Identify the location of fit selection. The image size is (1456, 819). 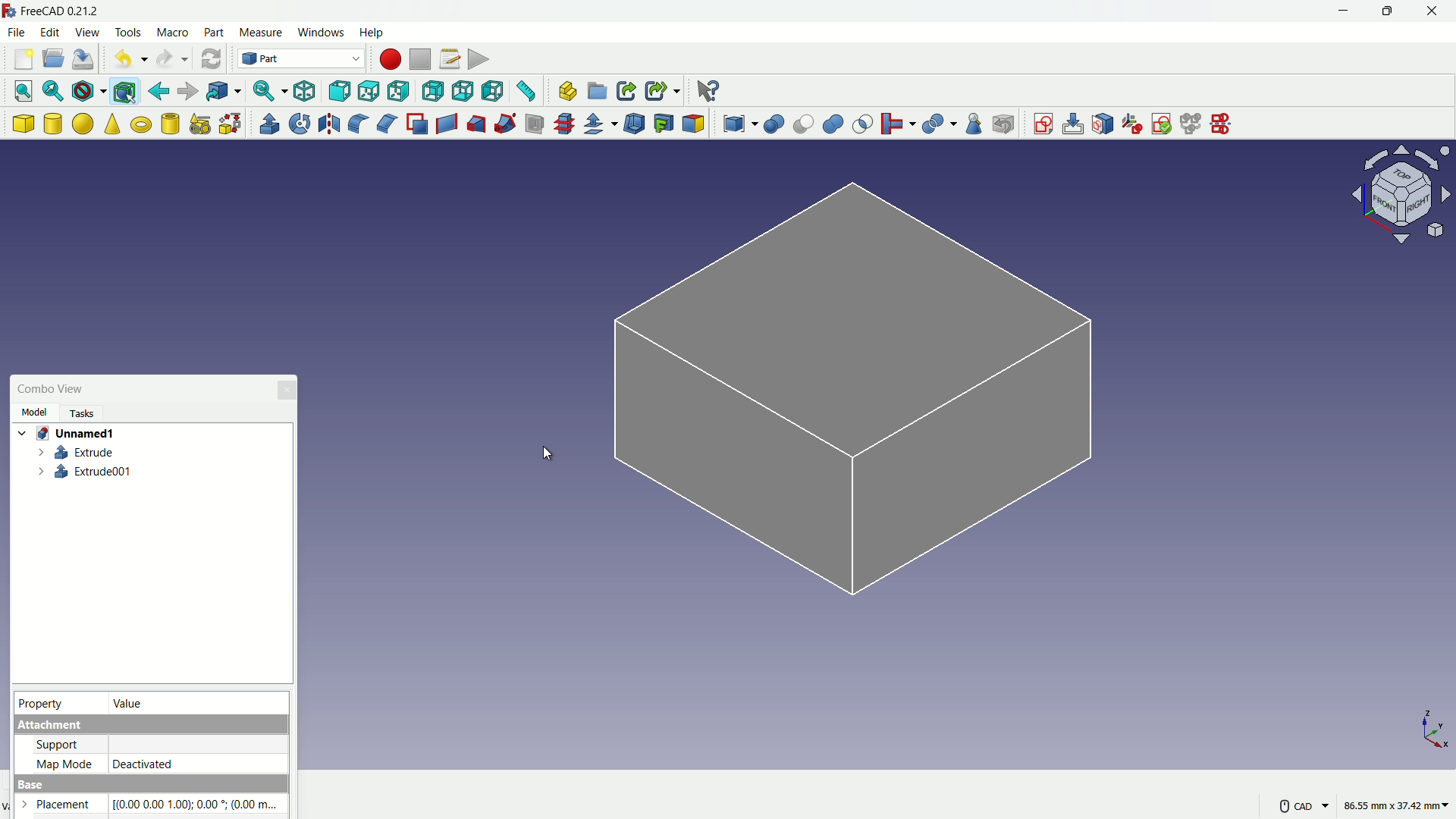
(55, 90).